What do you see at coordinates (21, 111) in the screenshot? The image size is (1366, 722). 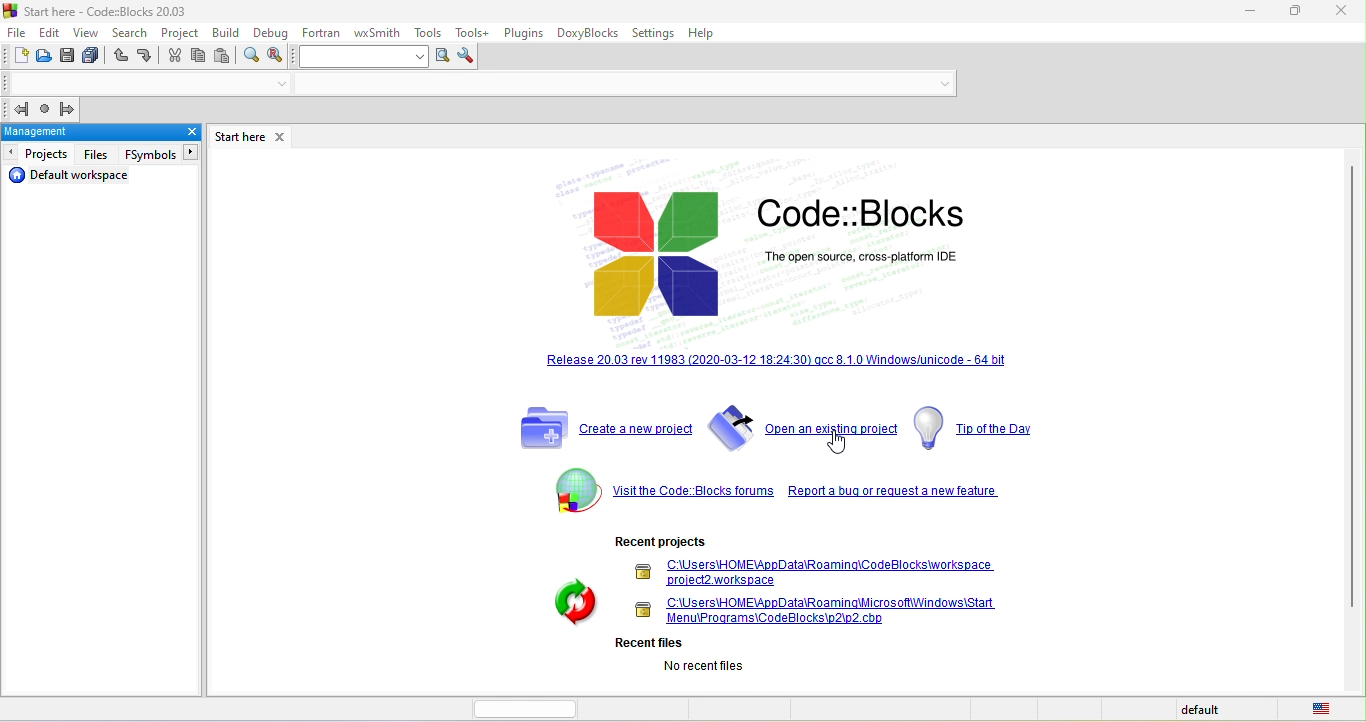 I see `jump back` at bounding box center [21, 111].